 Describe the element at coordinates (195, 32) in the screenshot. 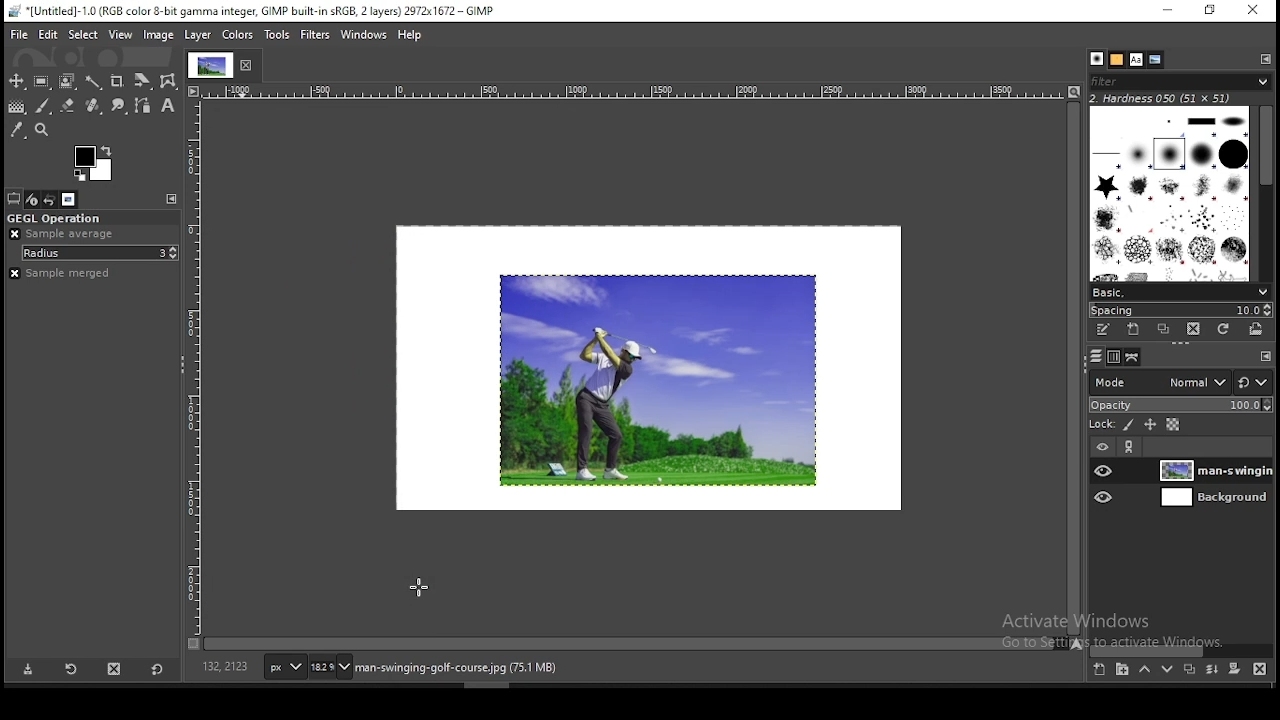

I see `layer` at that location.